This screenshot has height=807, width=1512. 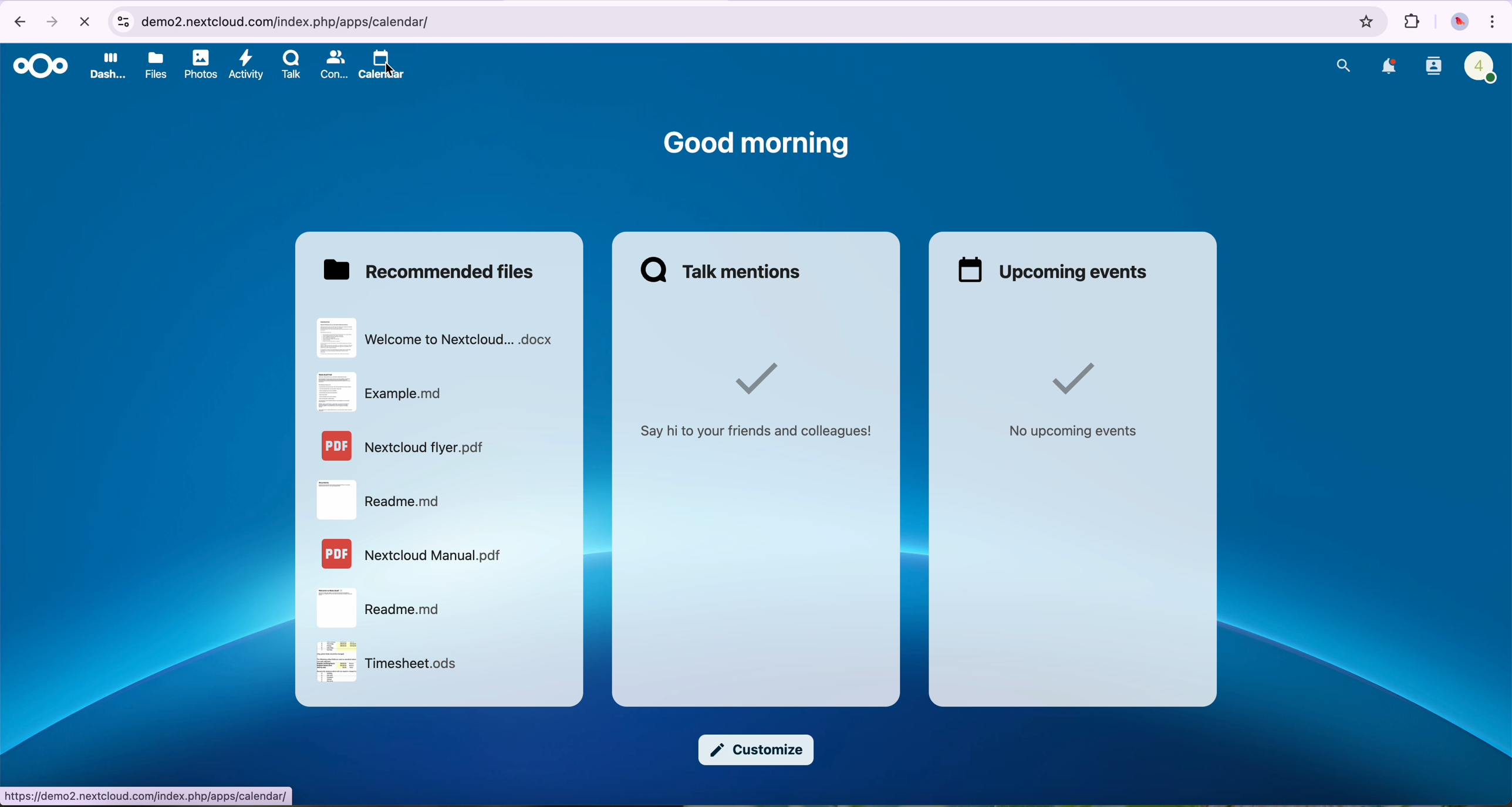 I want to click on file, so click(x=386, y=663).